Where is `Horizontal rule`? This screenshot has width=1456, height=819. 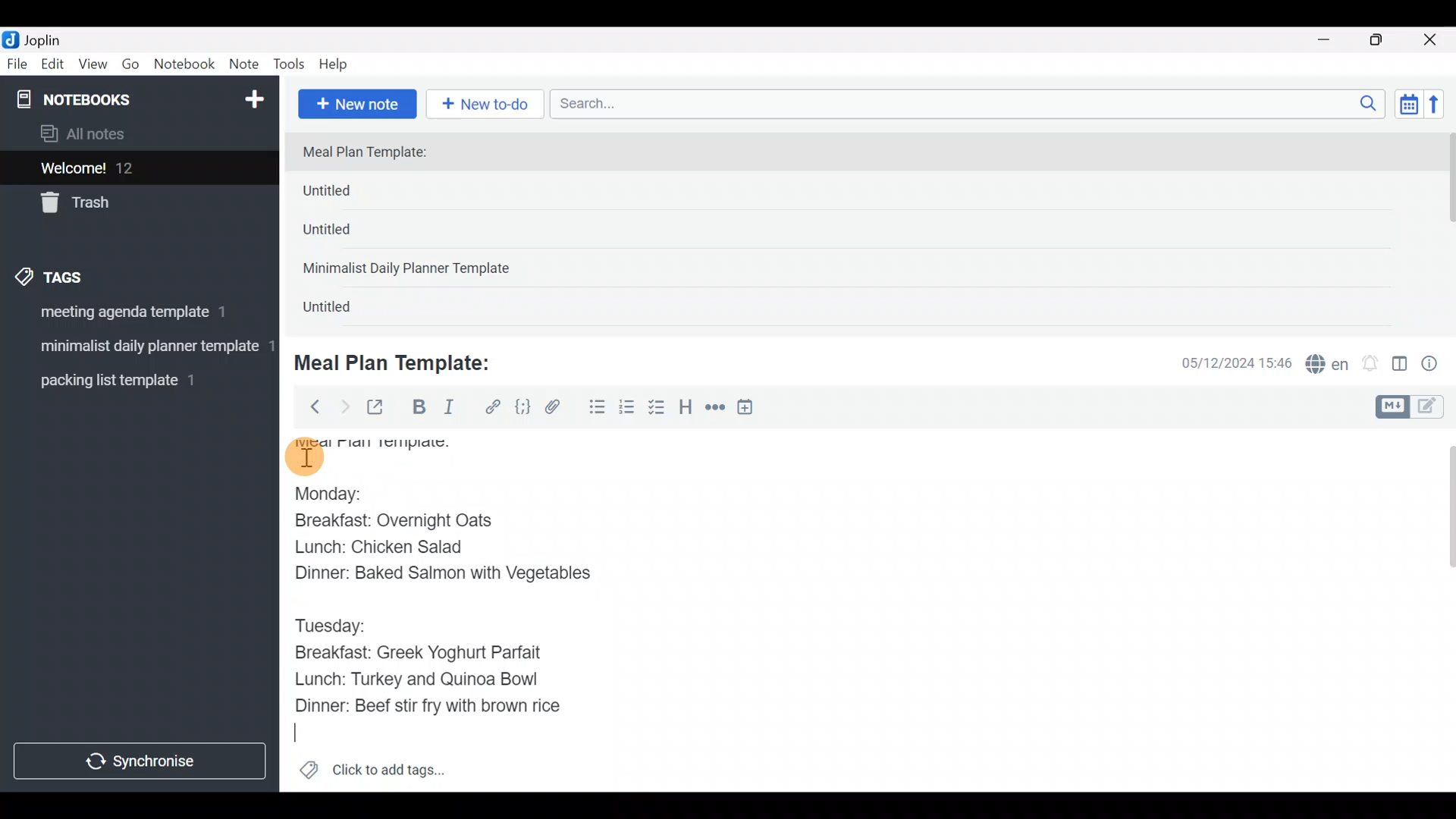
Horizontal rule is located at coordinates (715, 409).